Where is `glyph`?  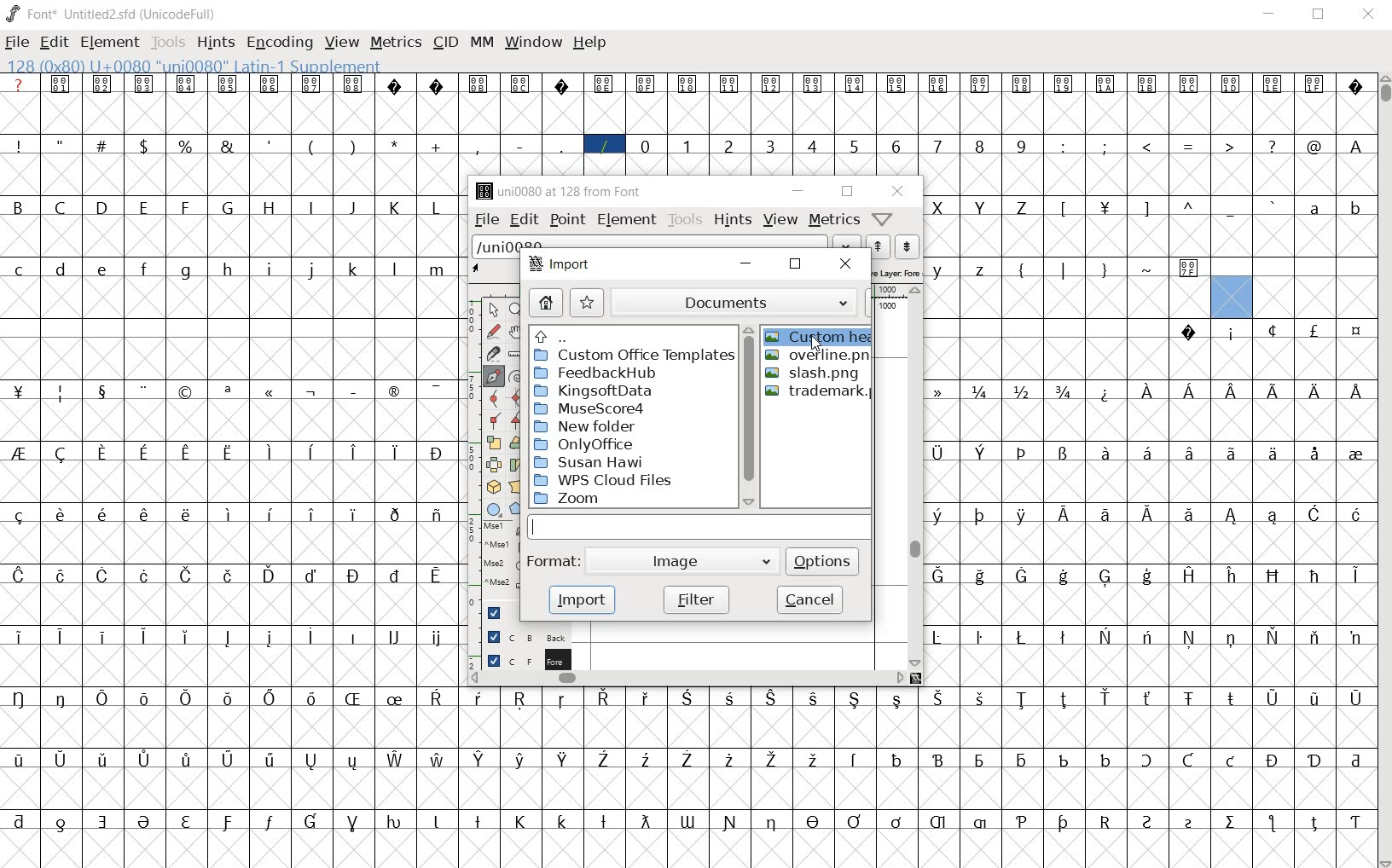 glyph is located at coordinates (271, 393).